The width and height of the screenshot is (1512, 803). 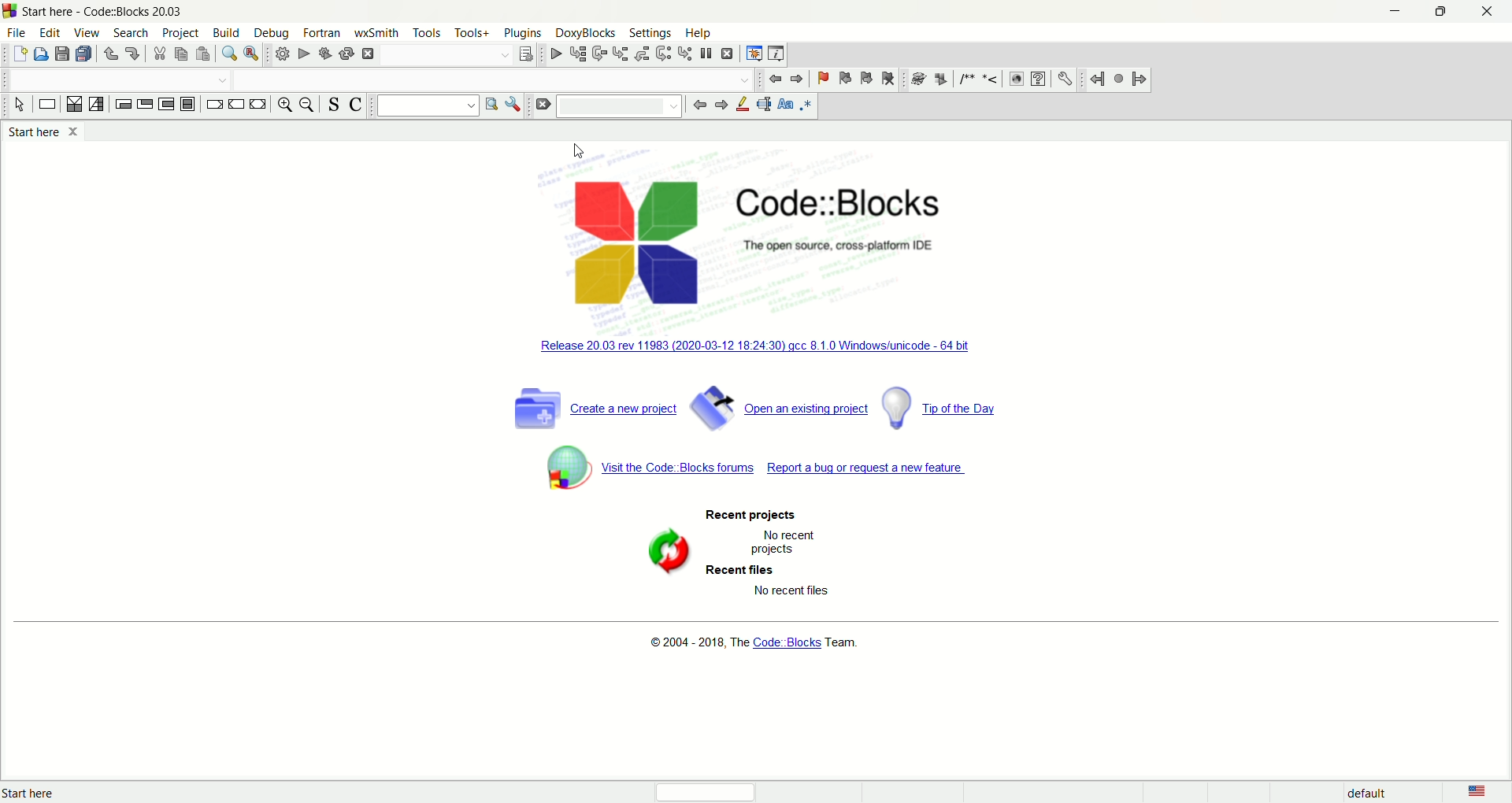 I want to click on text, so click(x=801, y=596).